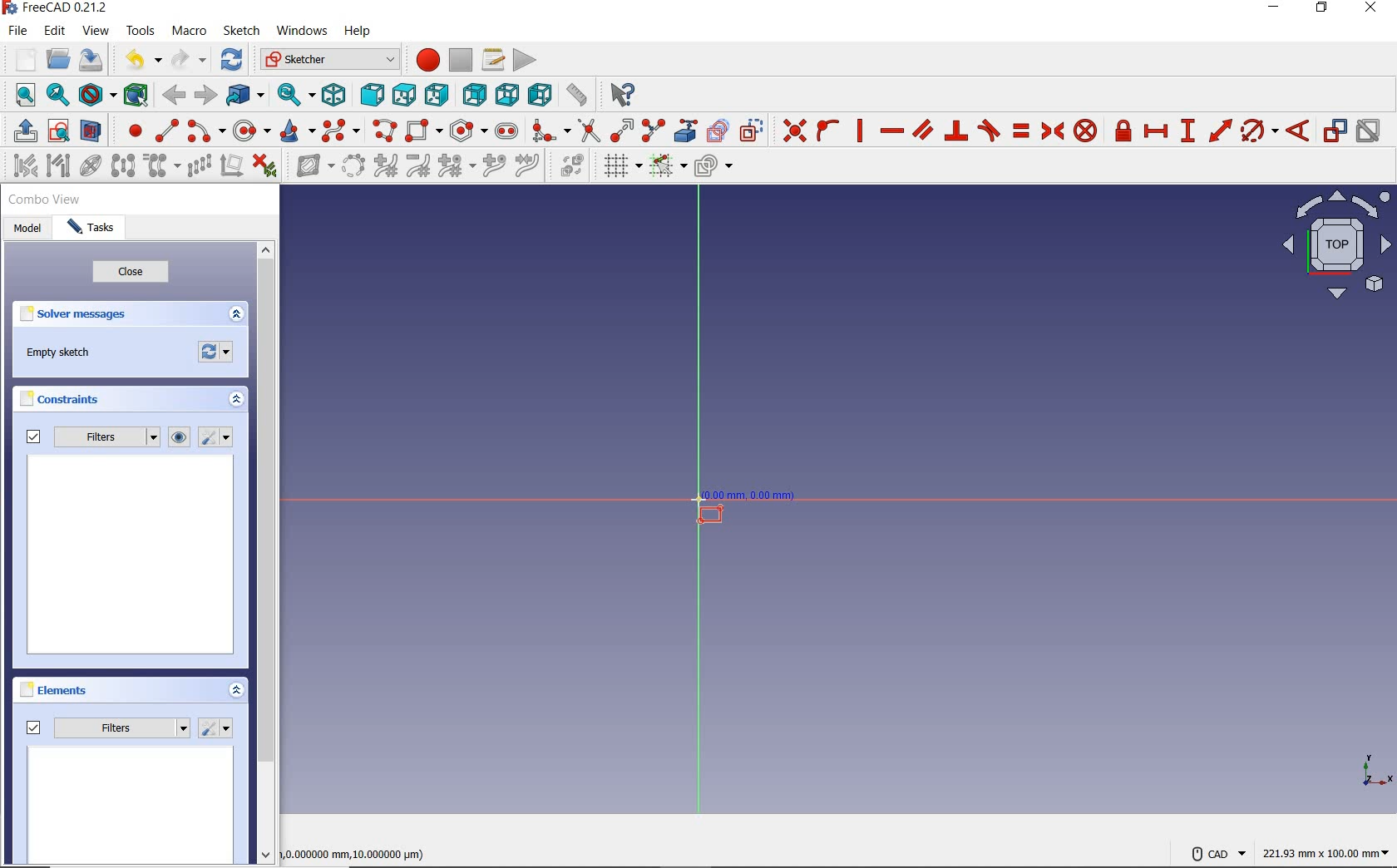  I want to click on constraint angle, so click(1299, 130).